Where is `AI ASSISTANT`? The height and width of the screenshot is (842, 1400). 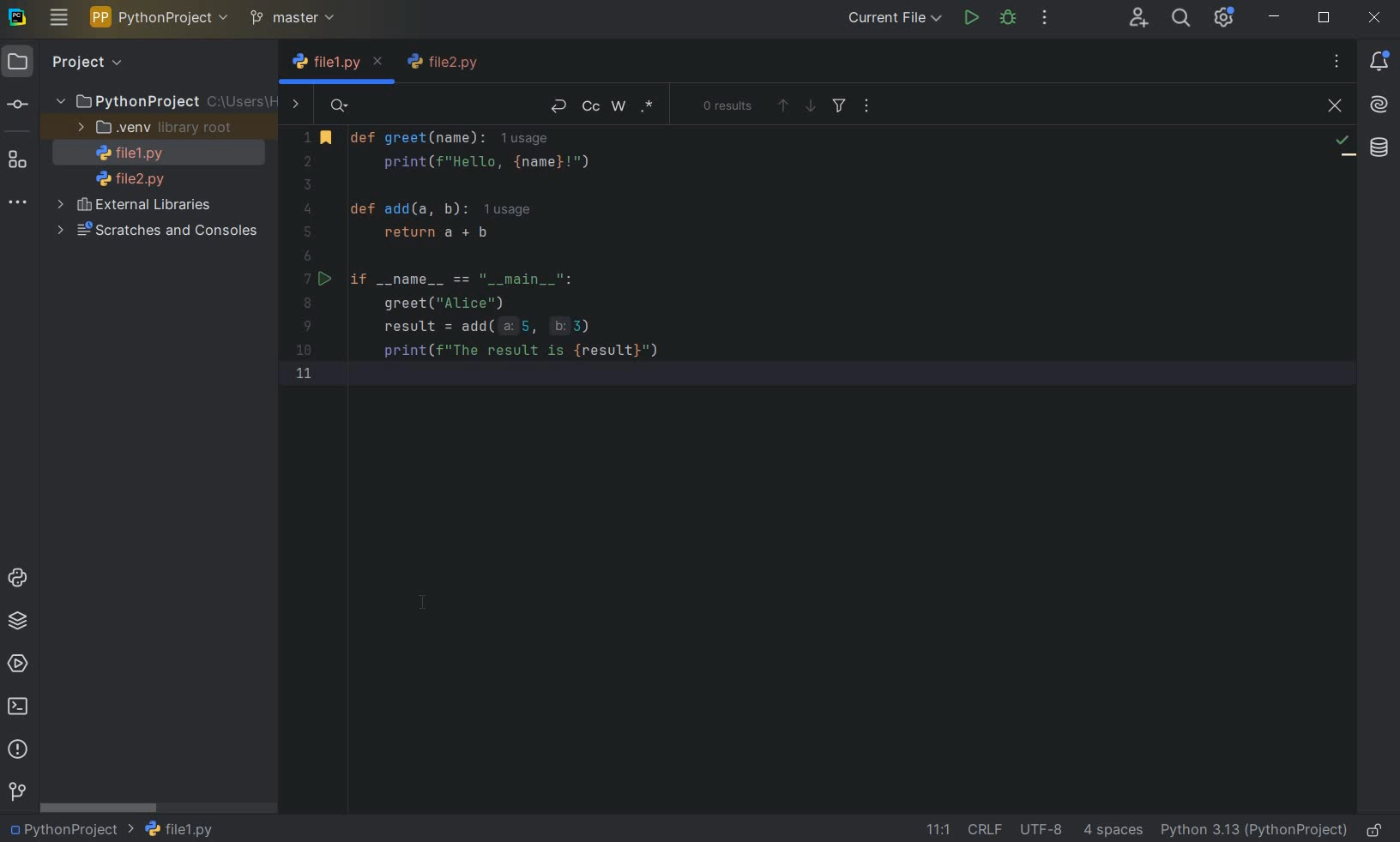 AI ASSISTANT is located at coordinates (1379, 105).